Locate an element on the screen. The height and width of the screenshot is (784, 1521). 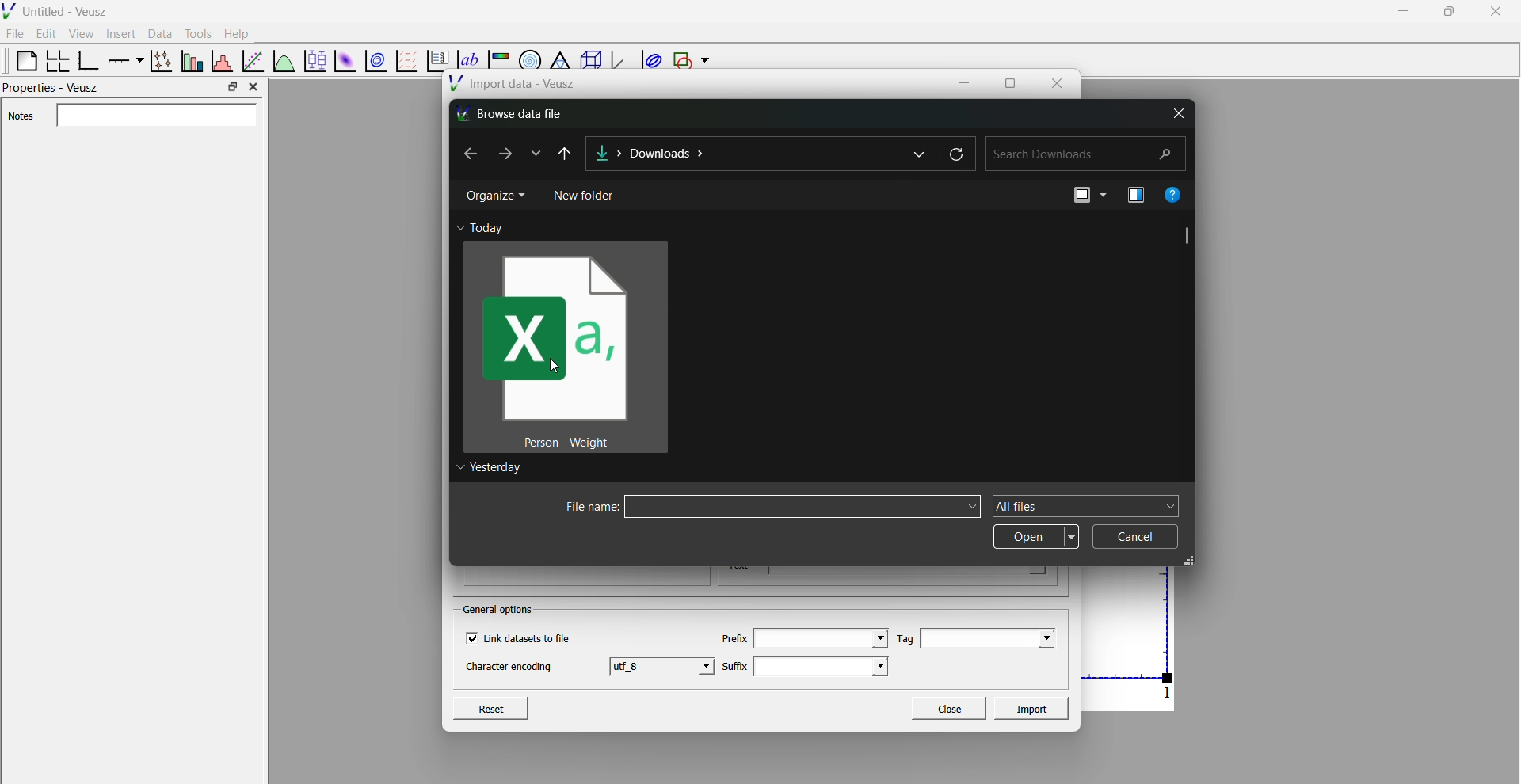
dropdown is located at coordinates (1169, 505).